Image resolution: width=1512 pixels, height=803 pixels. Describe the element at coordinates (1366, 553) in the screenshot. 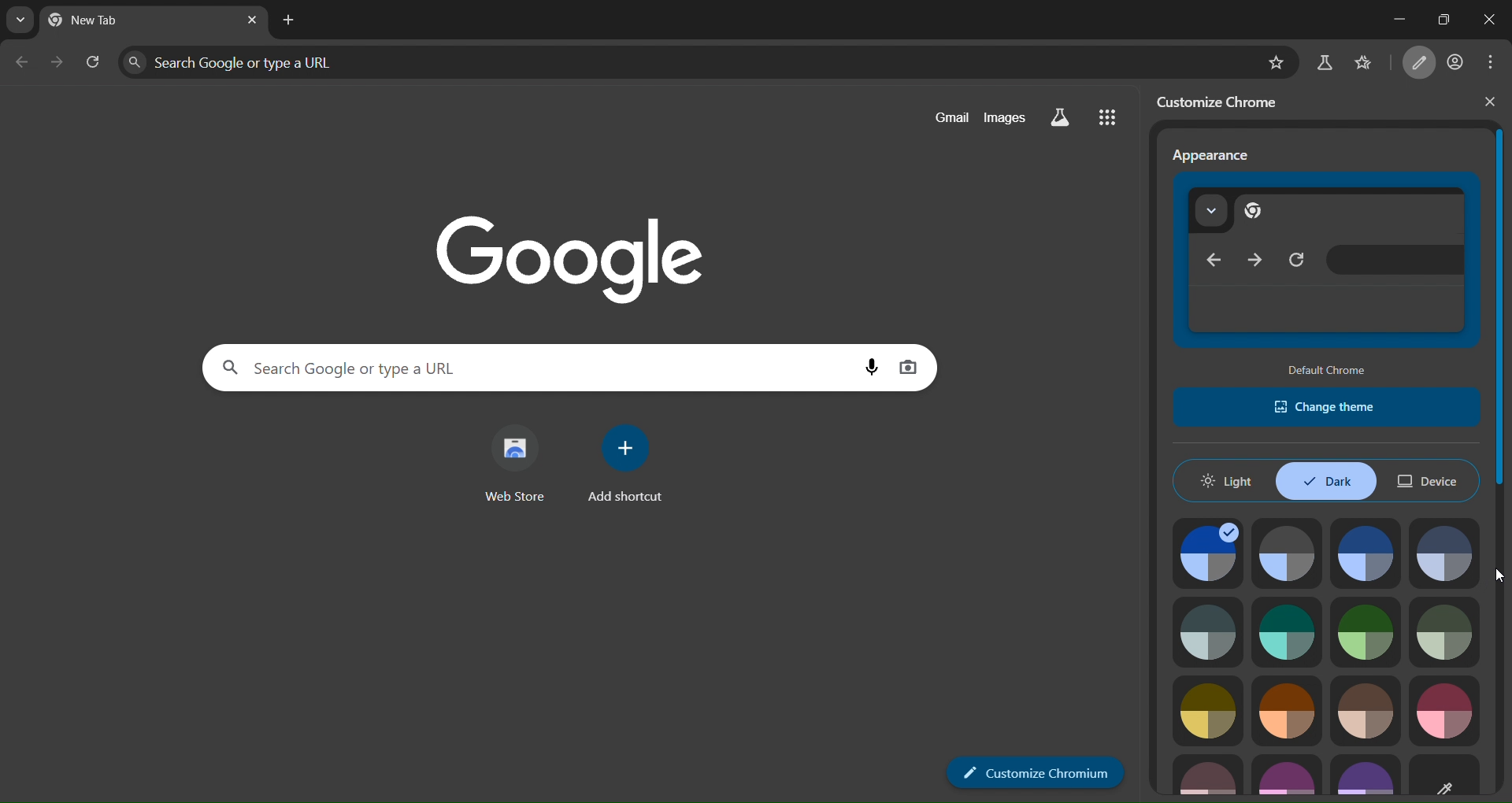

I see `image` at that location.